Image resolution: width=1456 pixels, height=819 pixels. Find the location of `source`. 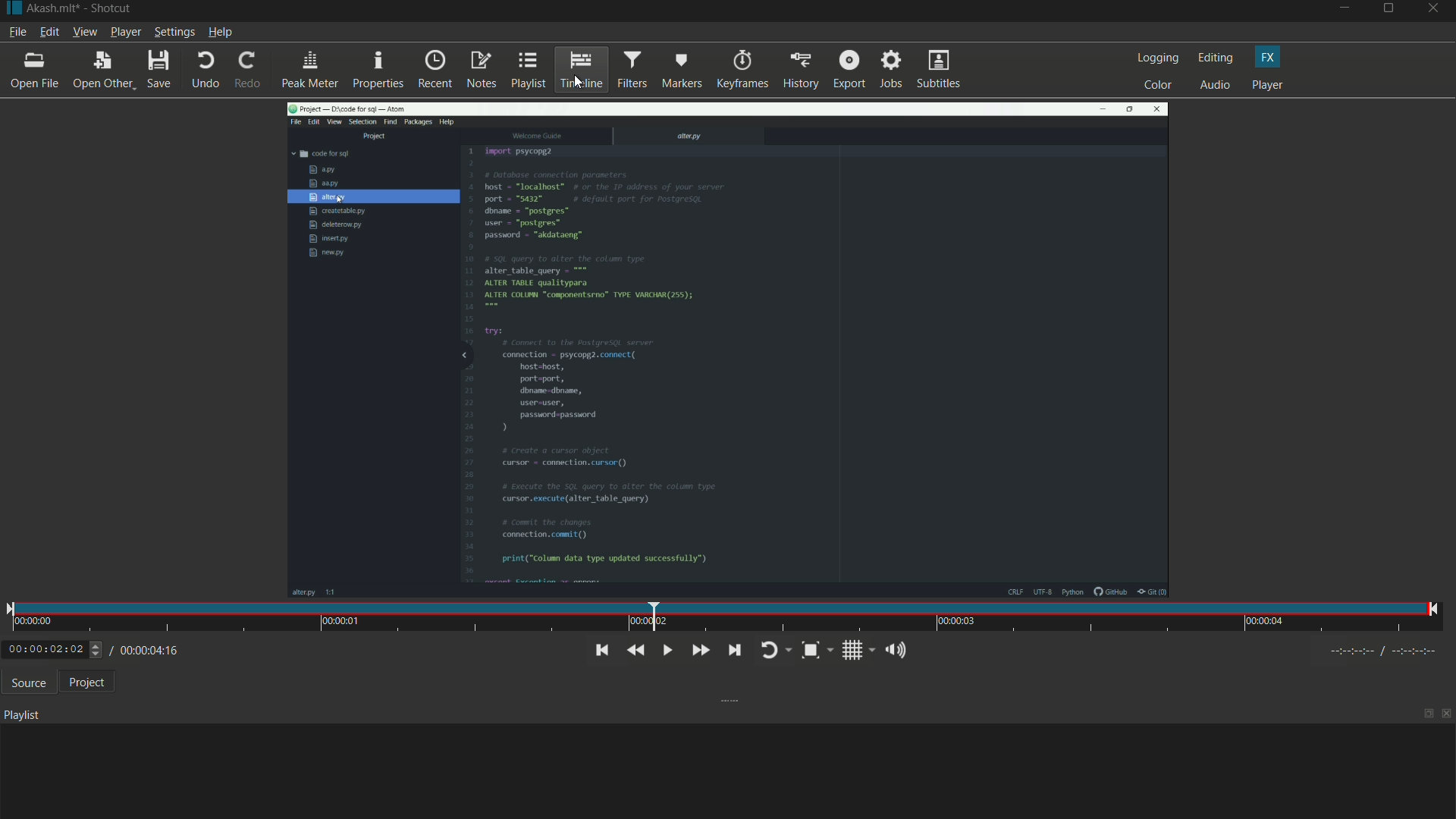

source is located at coordinates (25, 682).